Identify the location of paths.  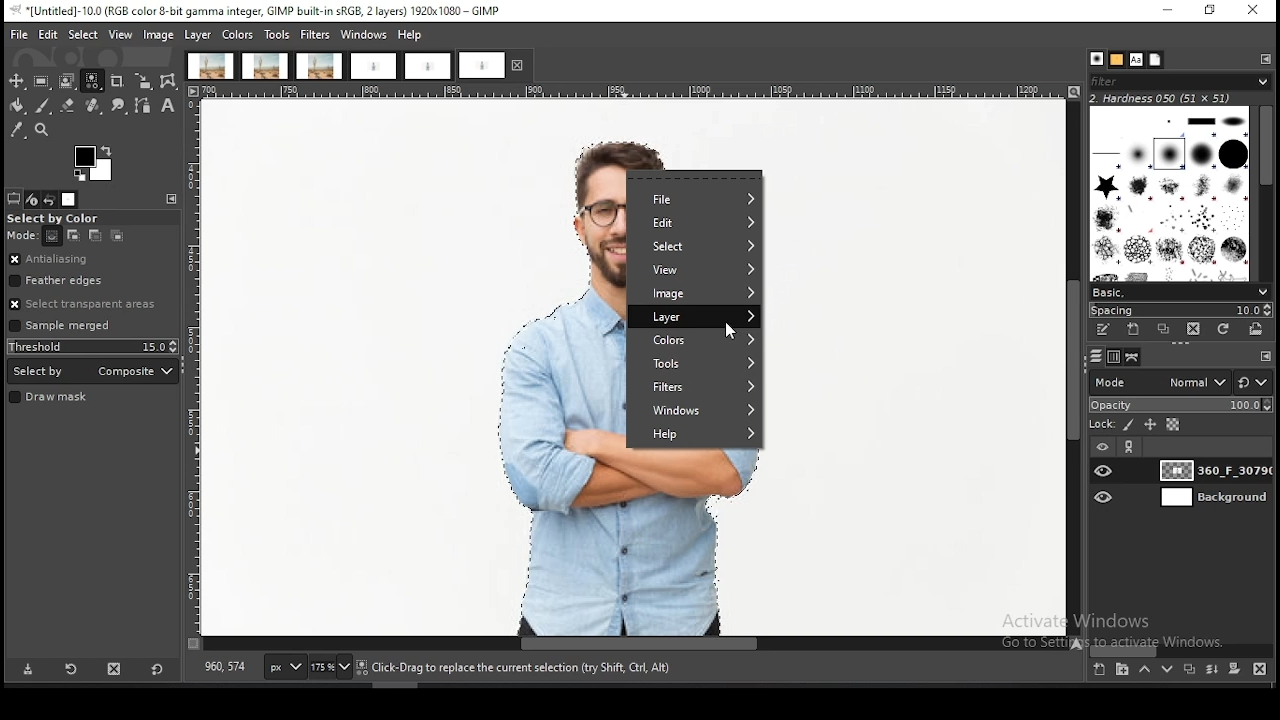
(1135, 357).